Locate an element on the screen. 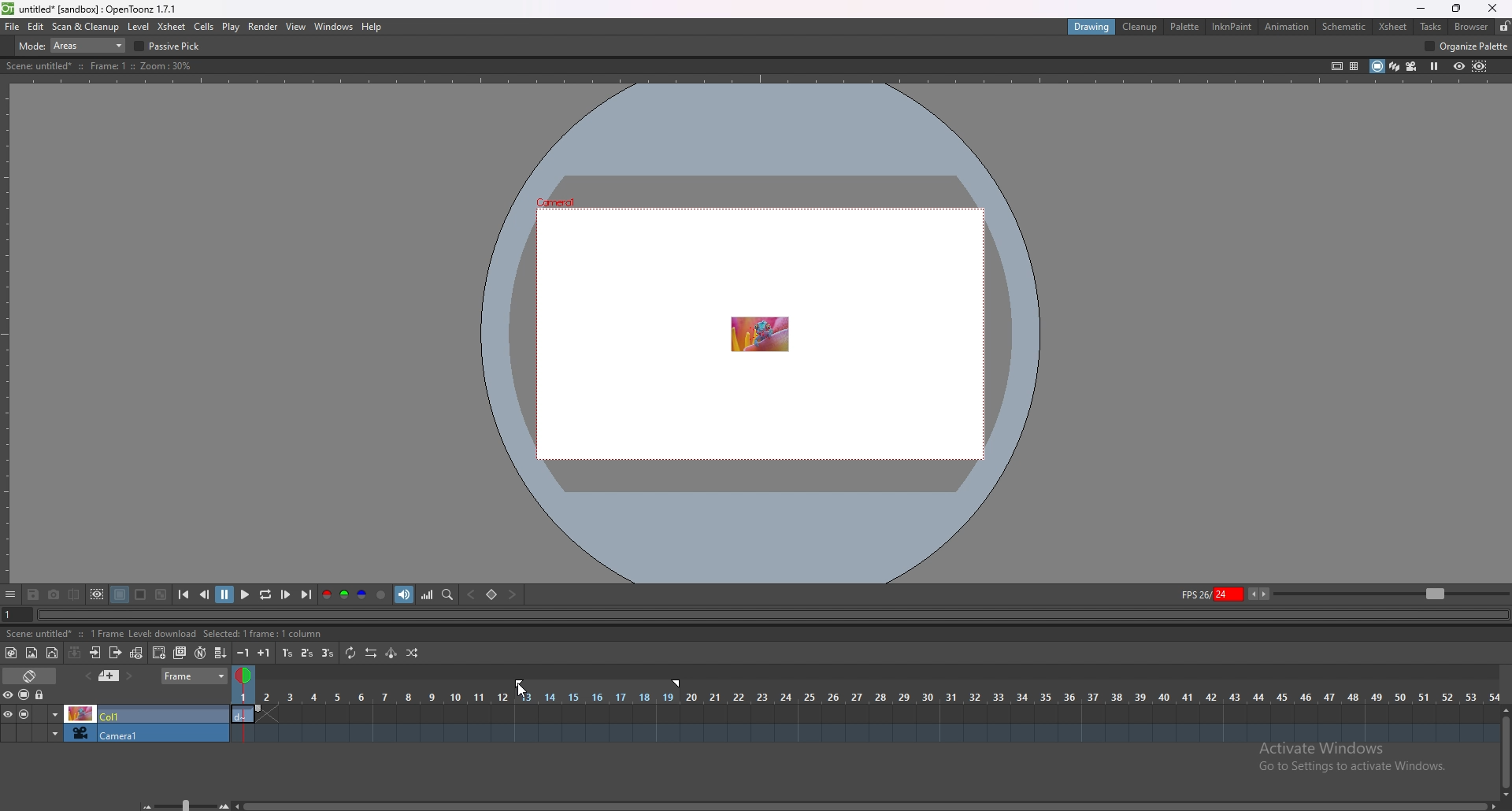 This screenshot has width=1512, height=811. create blank drawing is located at coordinates (159, 653).